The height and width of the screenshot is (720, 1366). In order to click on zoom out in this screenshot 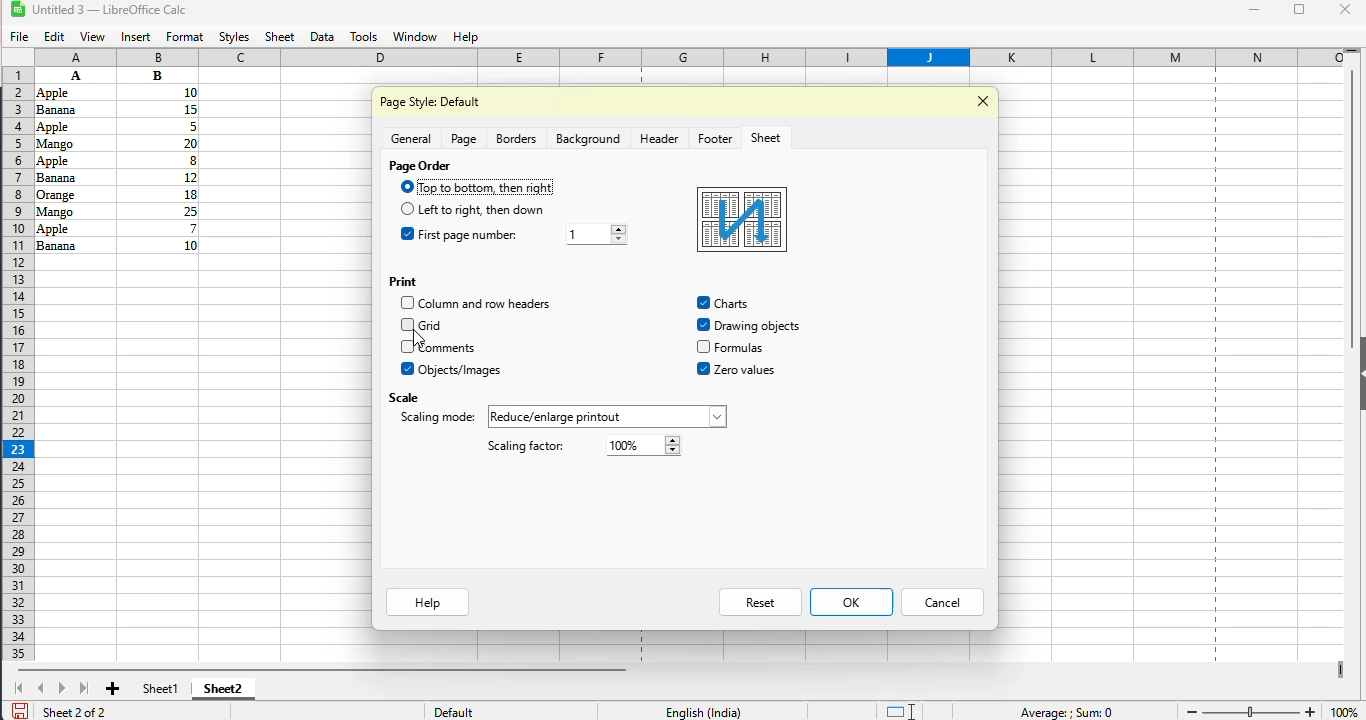, I will do `click(1190, 712)`.